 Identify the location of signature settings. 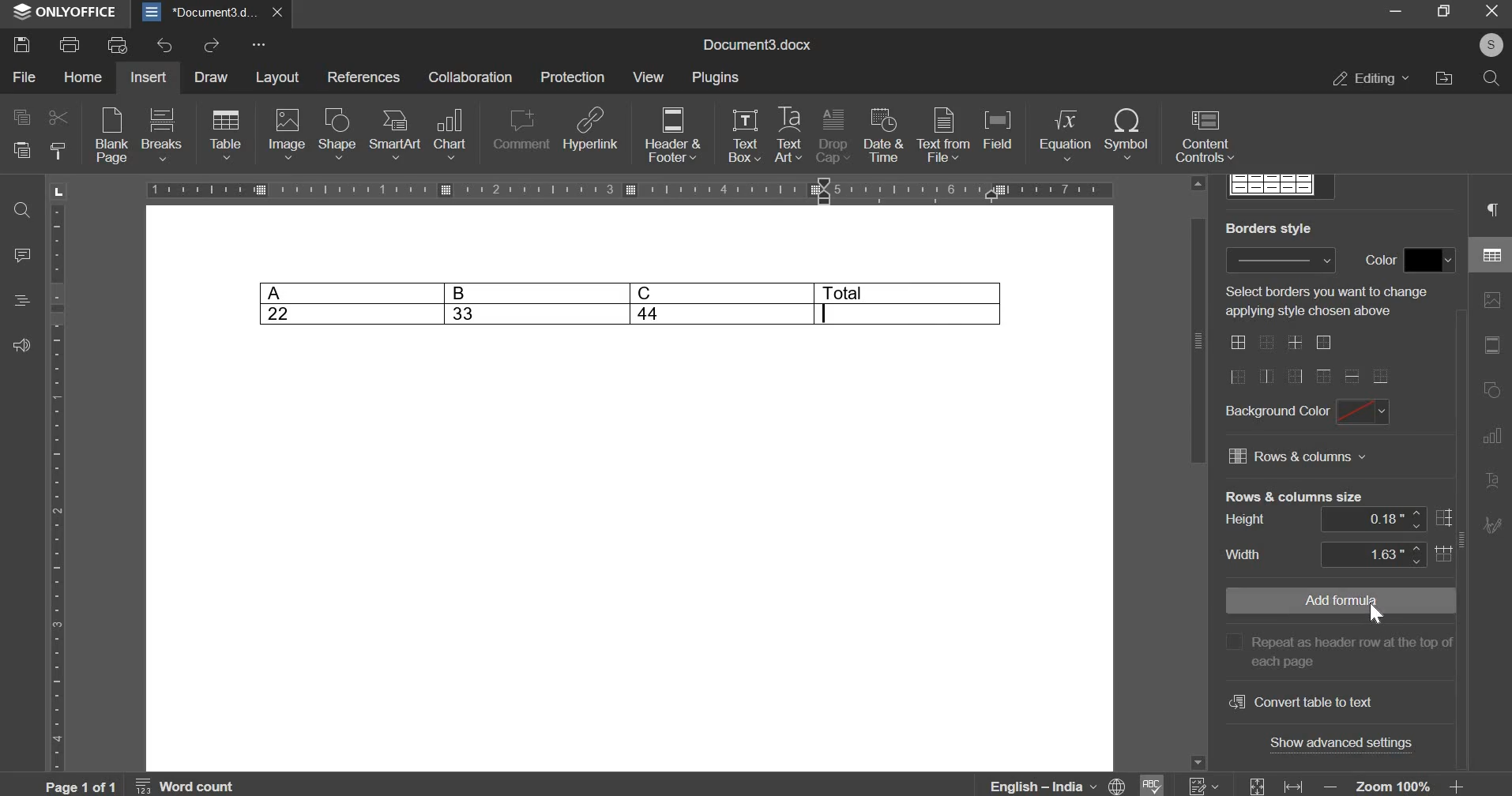
(1492, 524).